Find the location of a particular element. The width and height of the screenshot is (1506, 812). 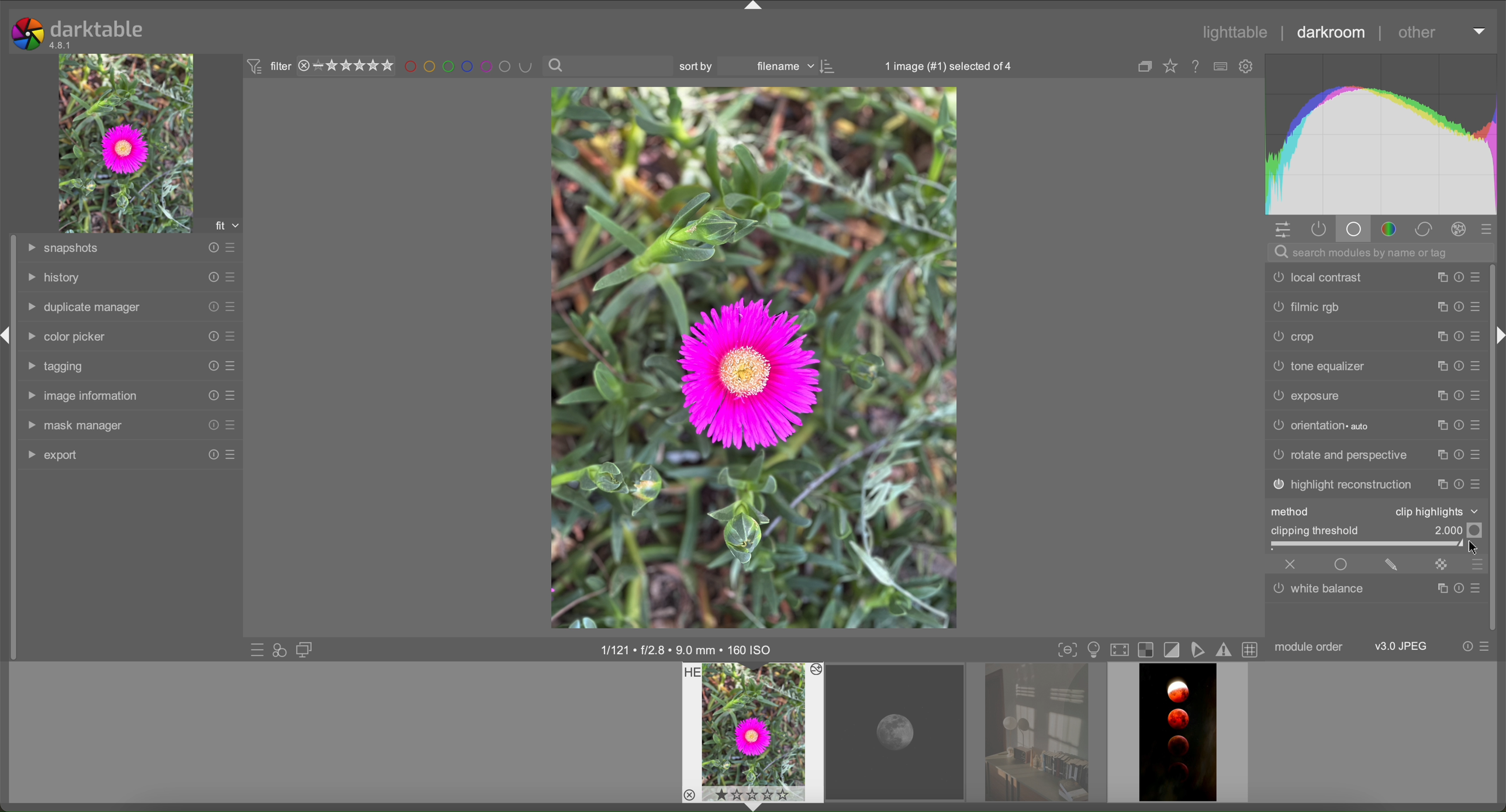

cursor is located at coordinates (1475, 551).